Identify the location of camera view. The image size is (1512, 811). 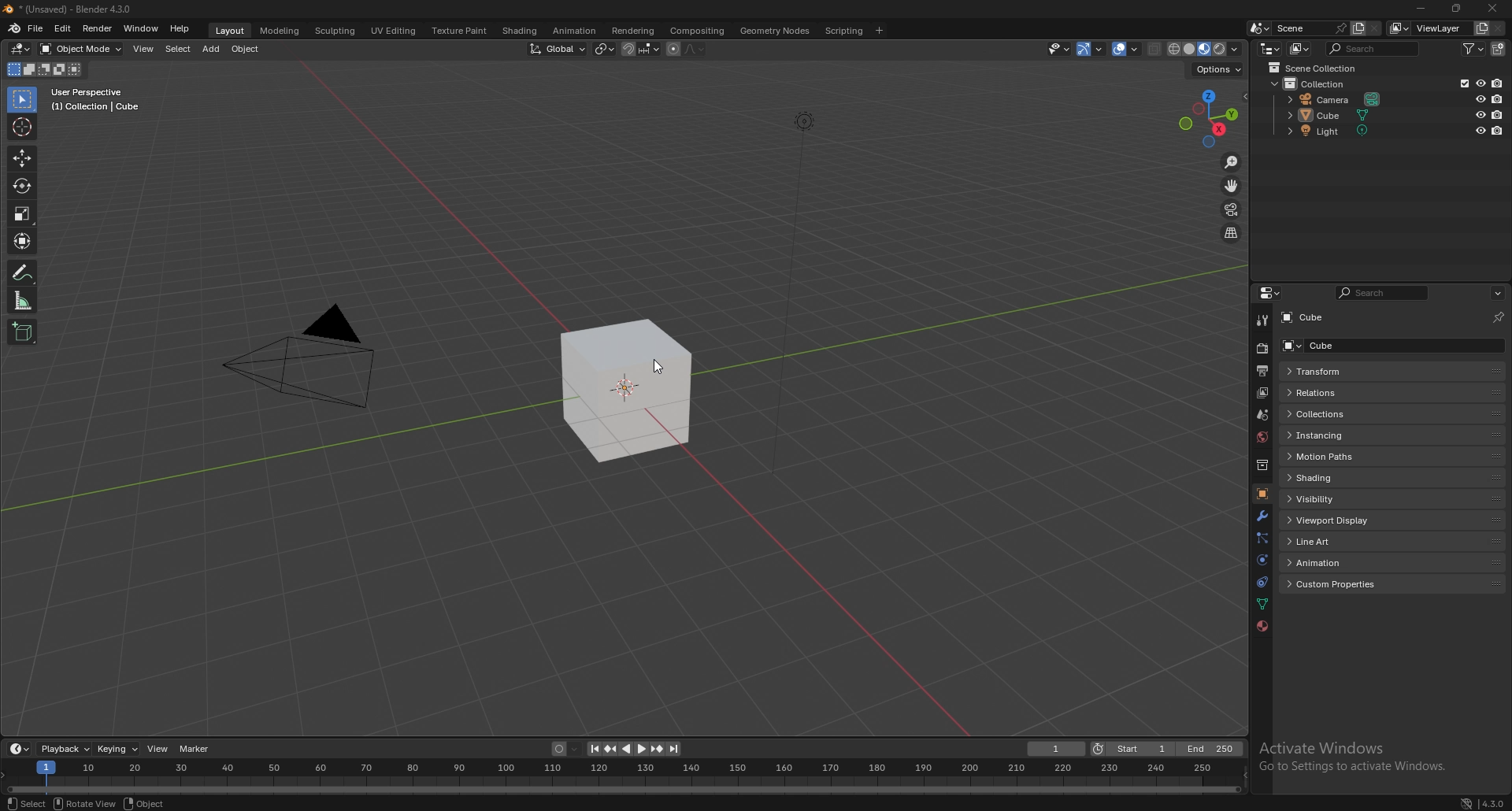
(1232, 209).